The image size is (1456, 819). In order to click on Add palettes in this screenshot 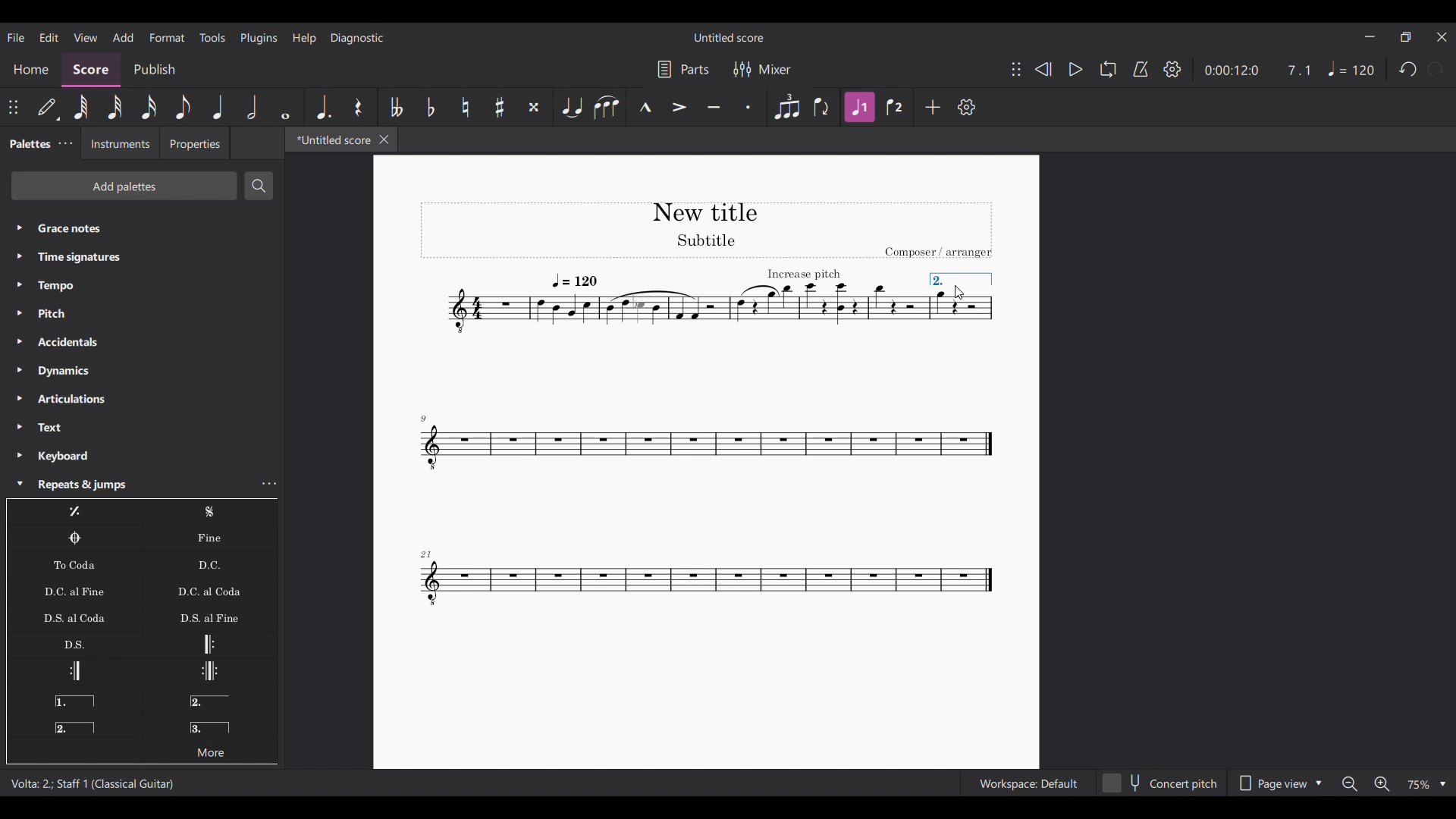, I will do `click(124, 186)`.